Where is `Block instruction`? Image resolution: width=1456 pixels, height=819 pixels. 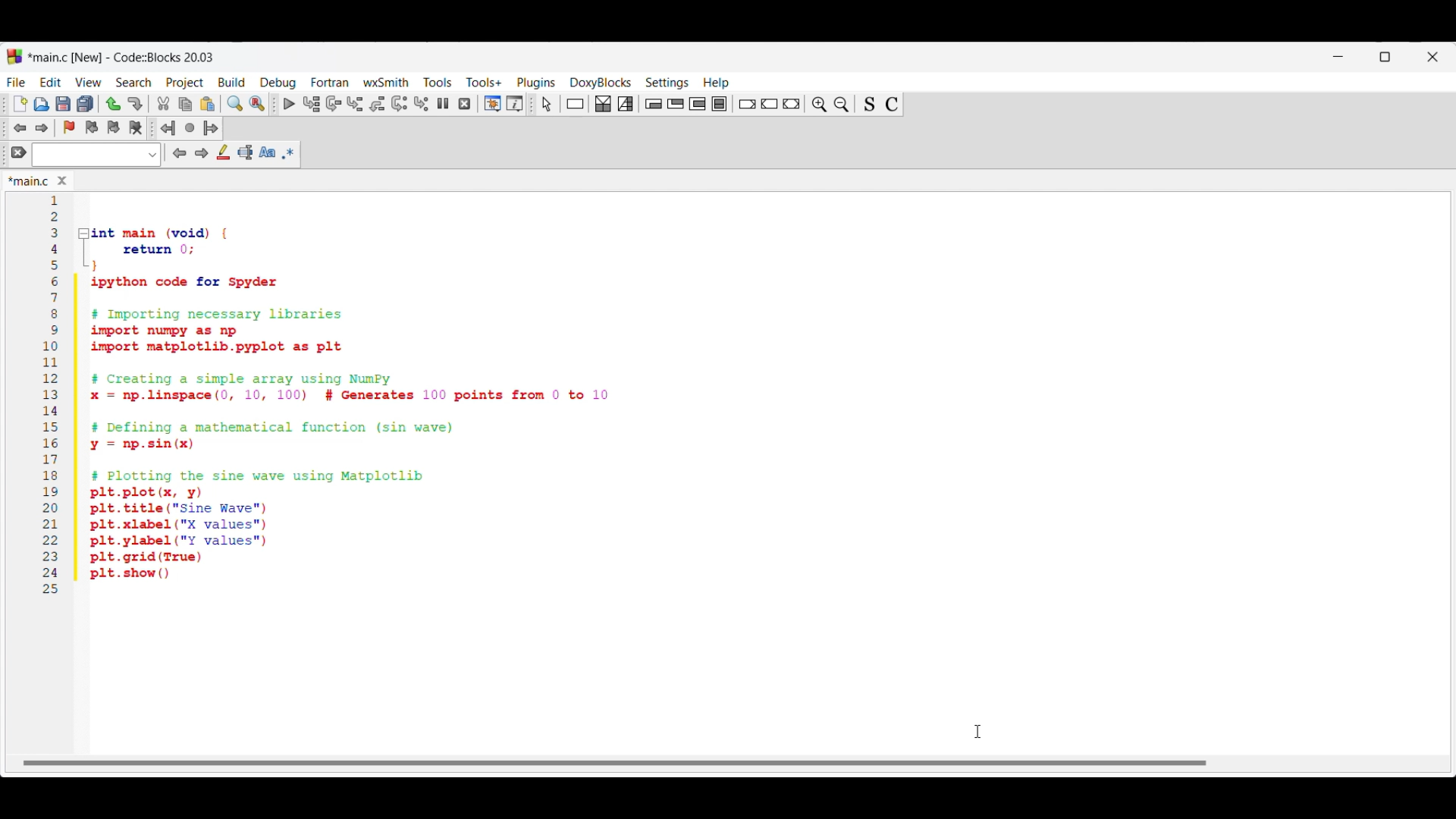
Block instruction is located at coordinates (719, 104).